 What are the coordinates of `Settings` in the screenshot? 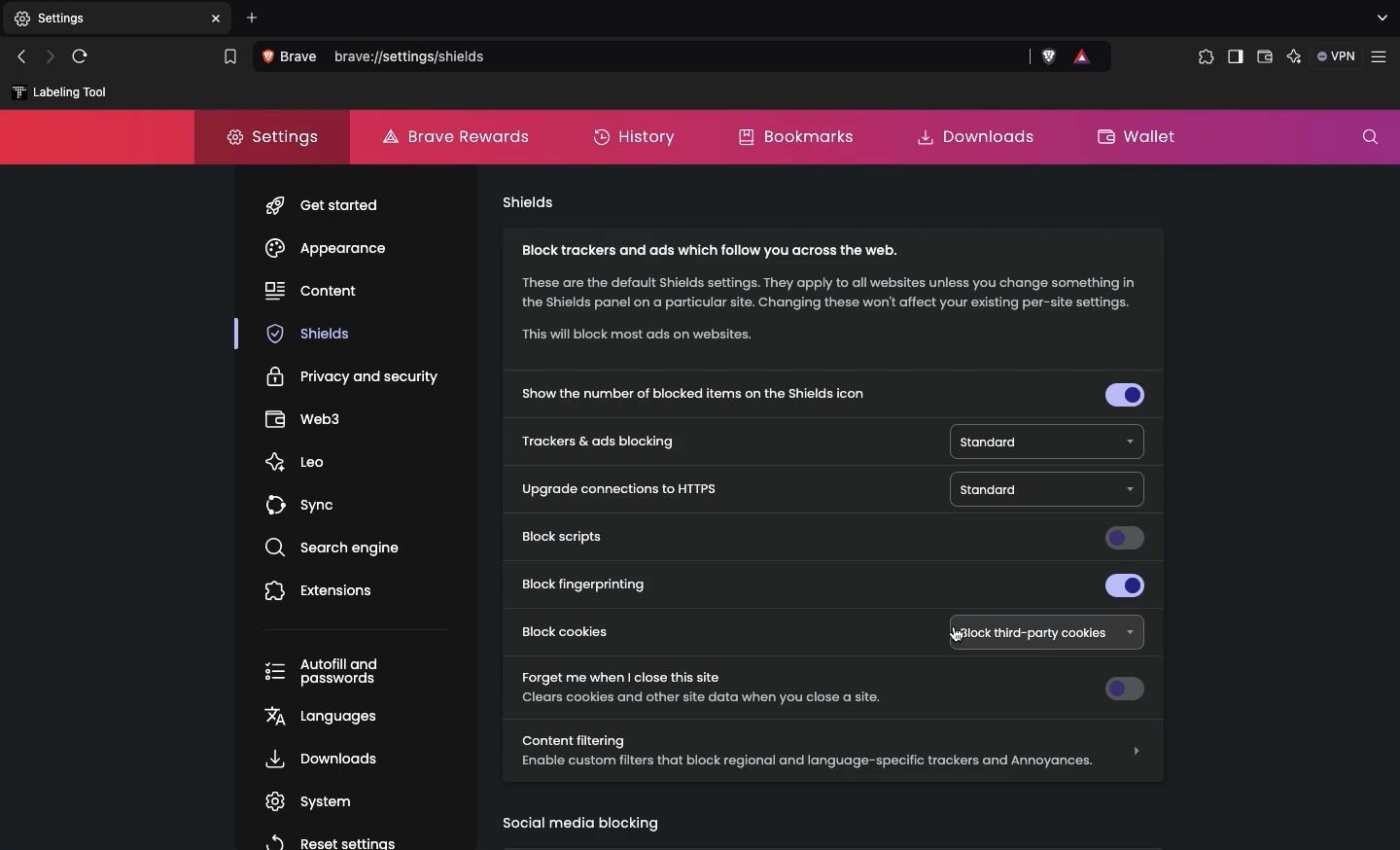 It's located at (276, 137).